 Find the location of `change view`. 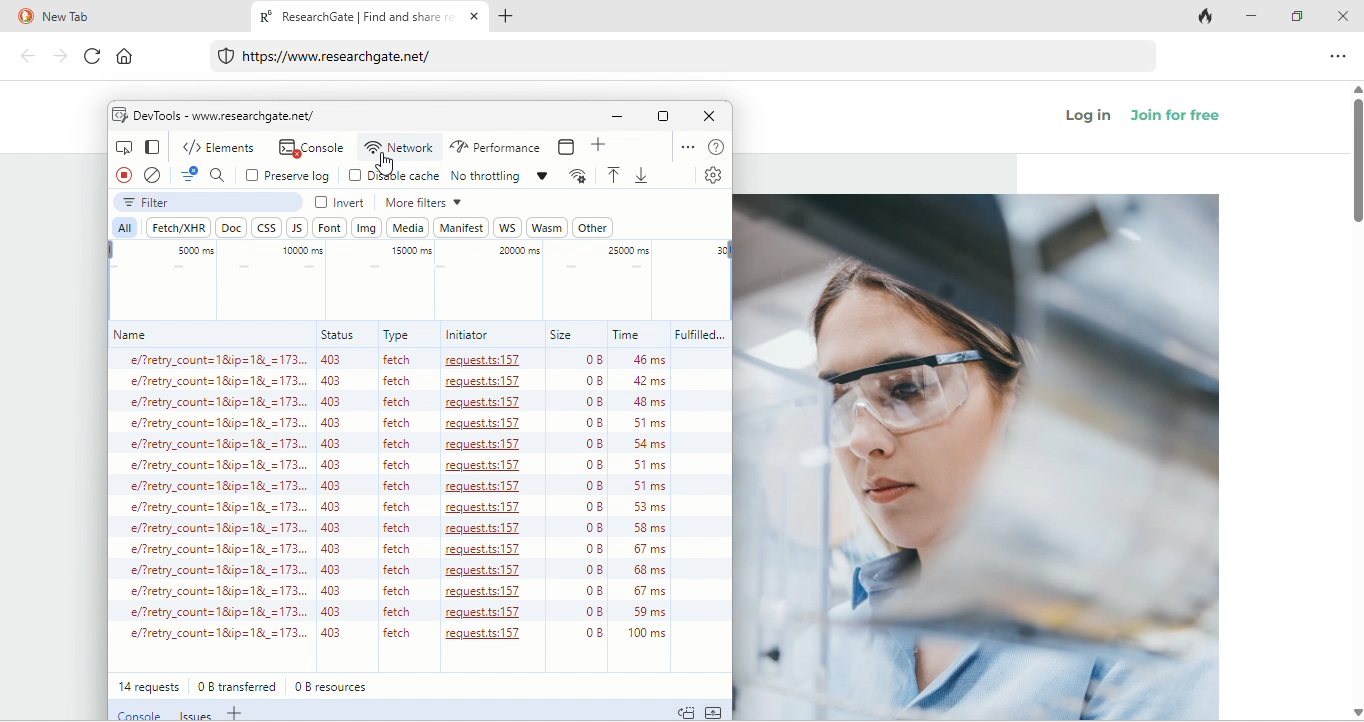

change view is located at coordinates (150, 146).